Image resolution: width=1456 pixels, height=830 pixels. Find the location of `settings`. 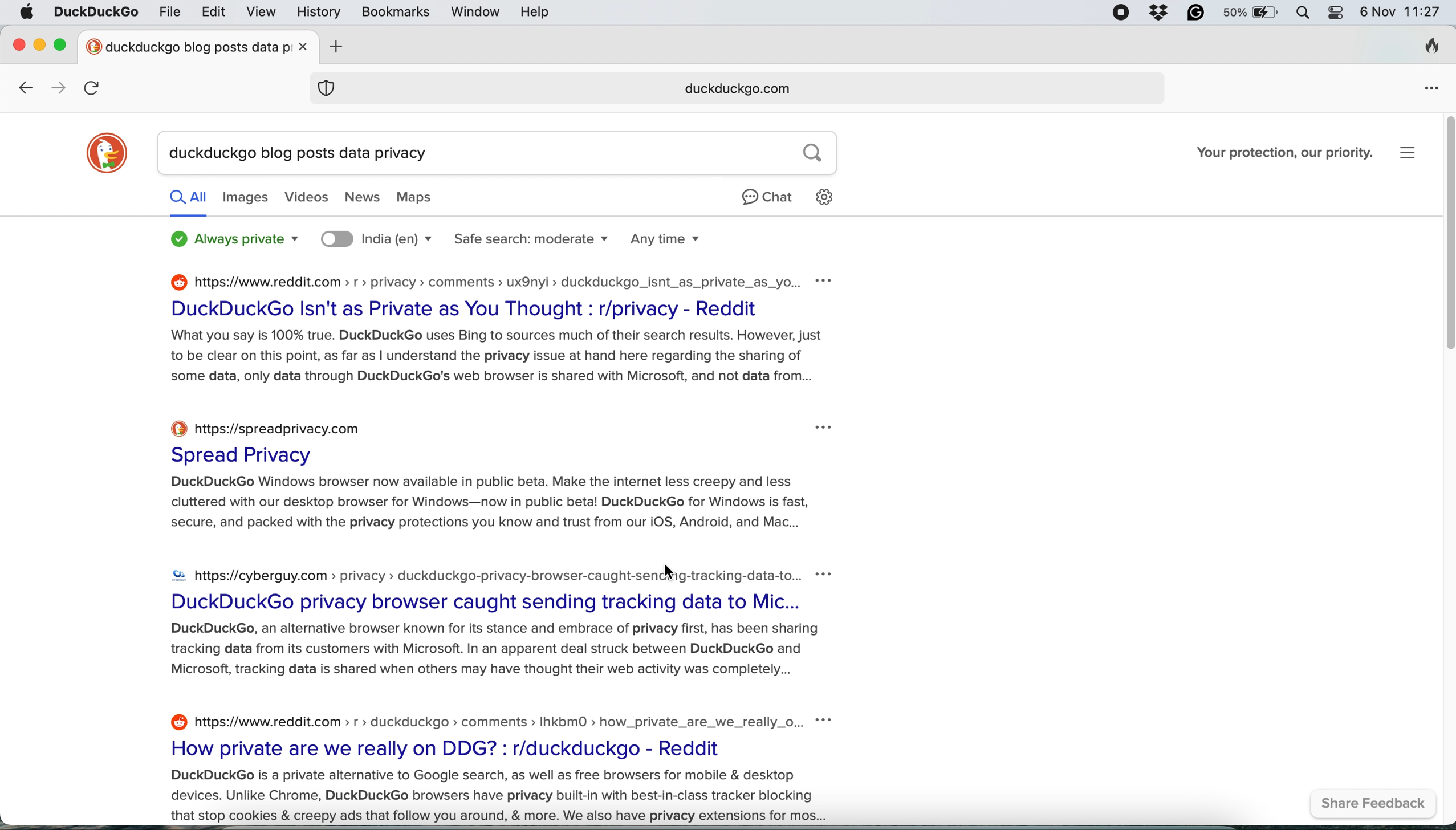

settings is located at coordinates (831, 198).